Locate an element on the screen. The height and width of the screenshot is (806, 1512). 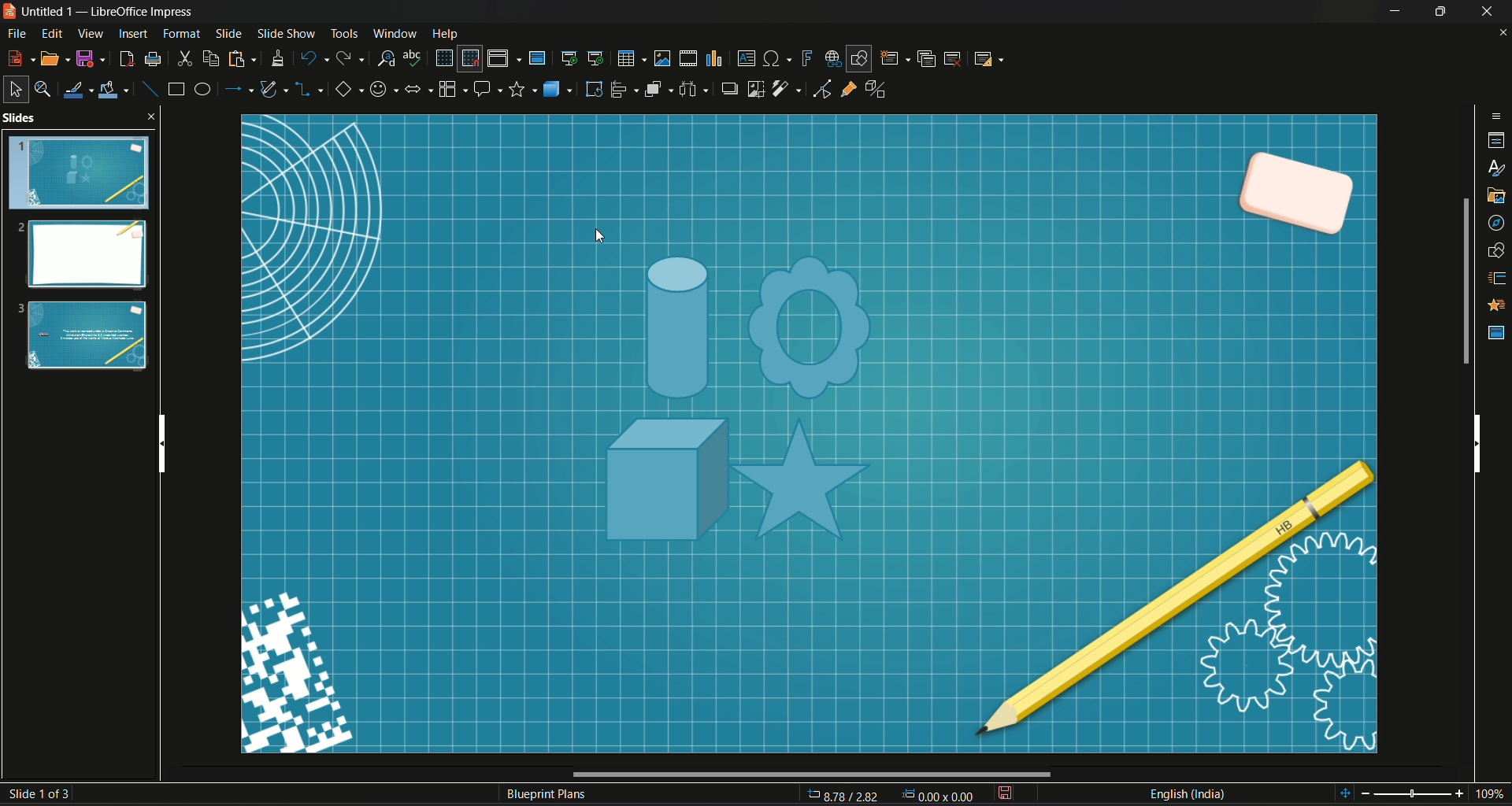
rectangle is located at coordinates (176, 88).